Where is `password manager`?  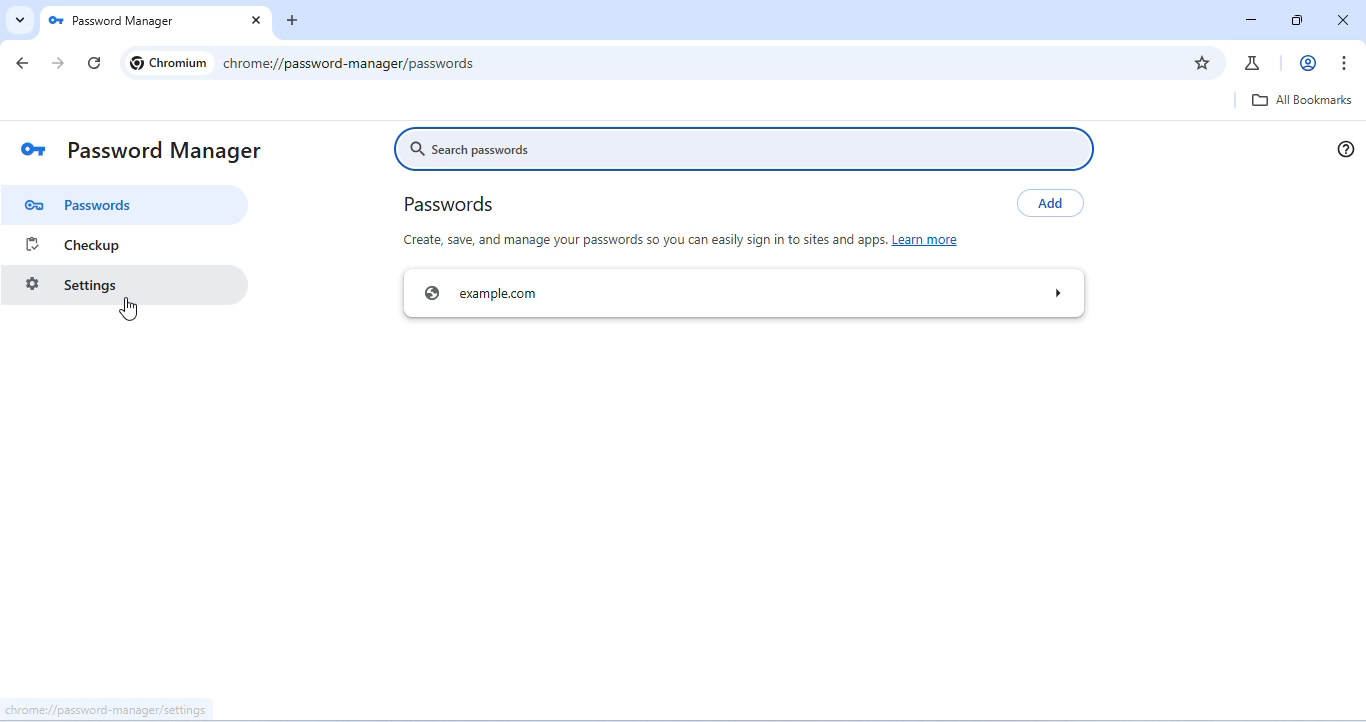
password manager is located at coordinates (169, 152).